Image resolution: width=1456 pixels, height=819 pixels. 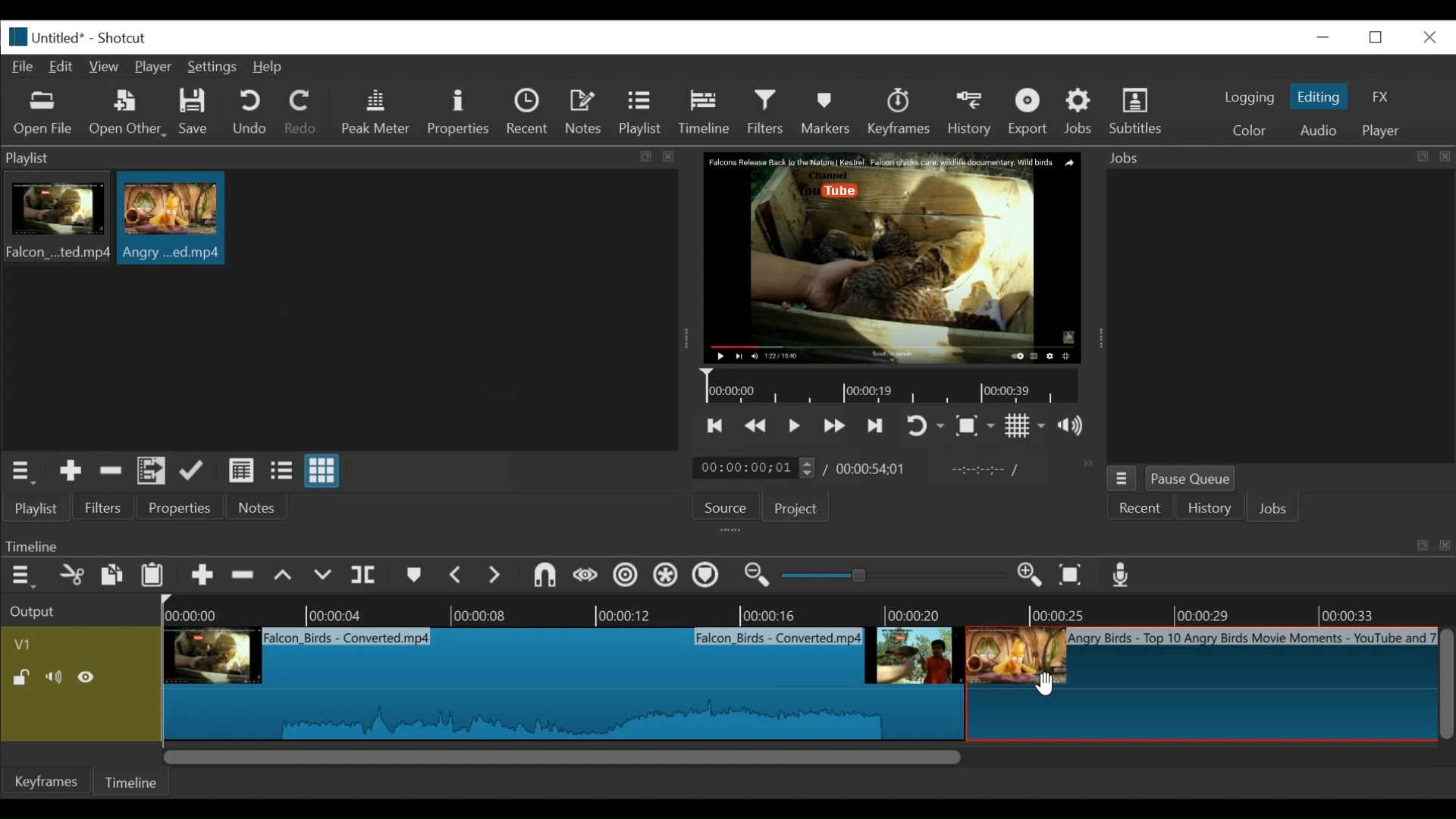 What do you see at coordinates (334, 158) in the screenshot?
I see `playlist panel` at bounding box center [334, 158].